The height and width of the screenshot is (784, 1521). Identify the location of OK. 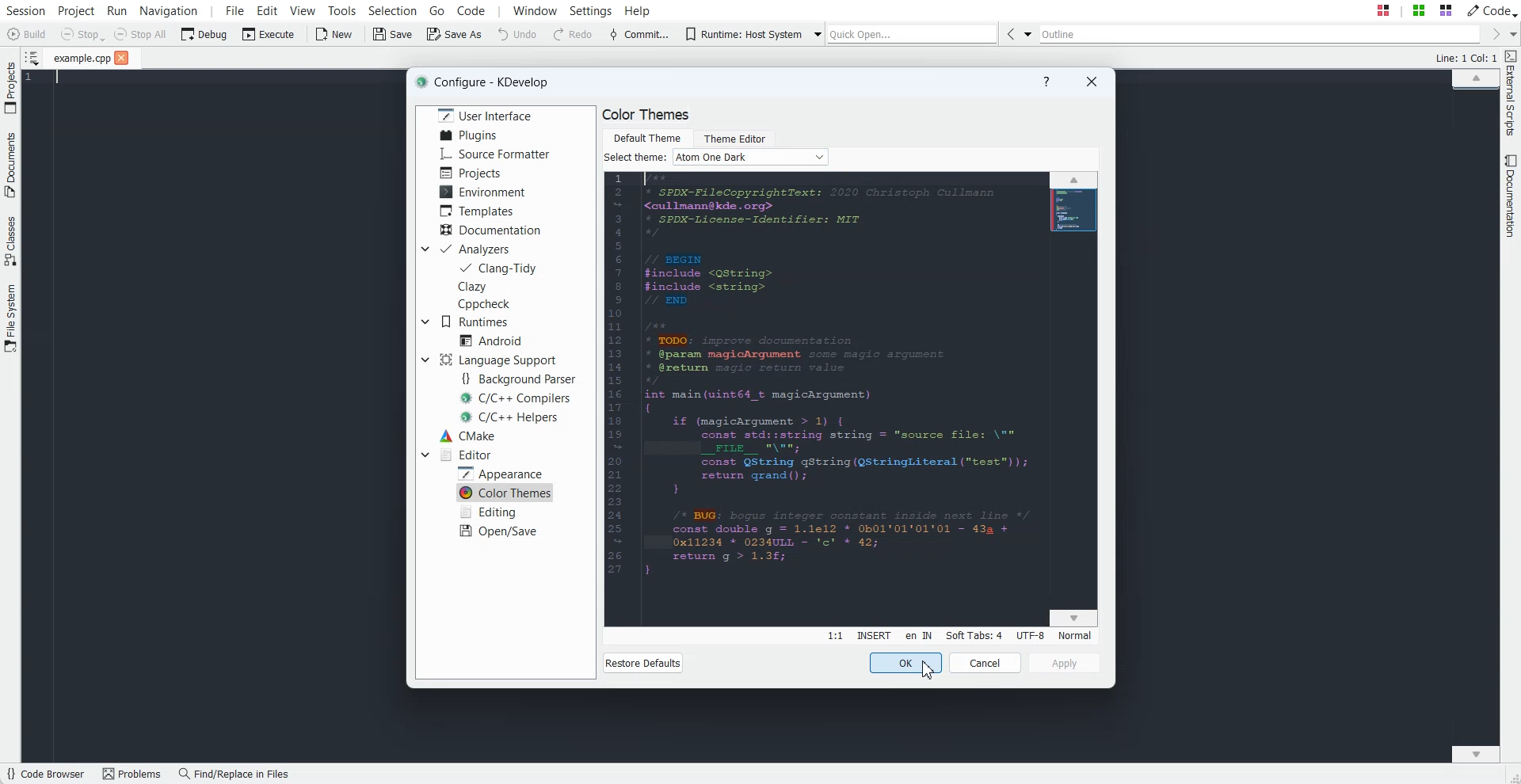
(906, 663).